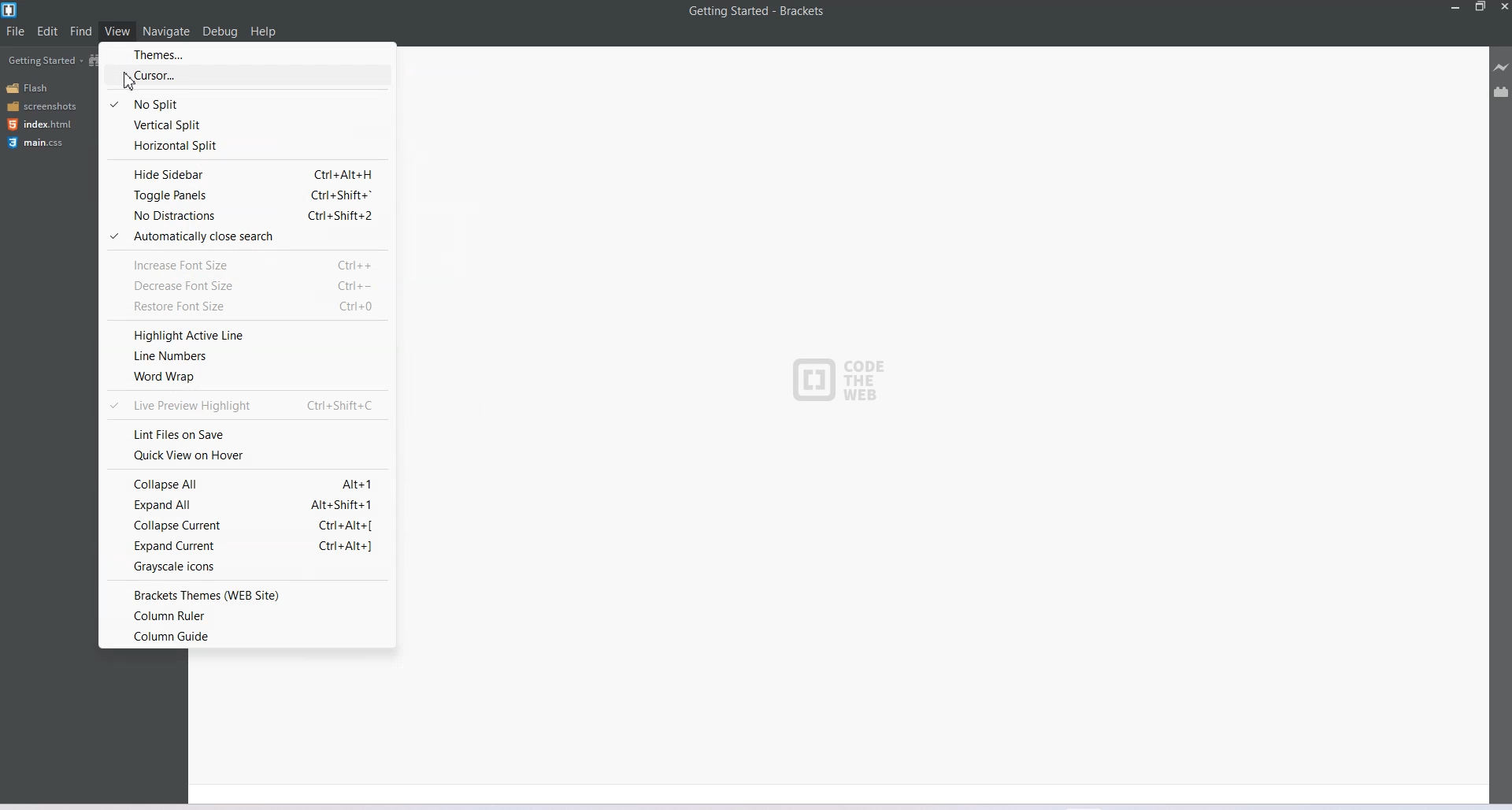 Image resolution: width=1512 pixels, height=810 pixels. Describe the element at coordinates (246, 482) in the screenshot. I see `Collapse all` at that location.